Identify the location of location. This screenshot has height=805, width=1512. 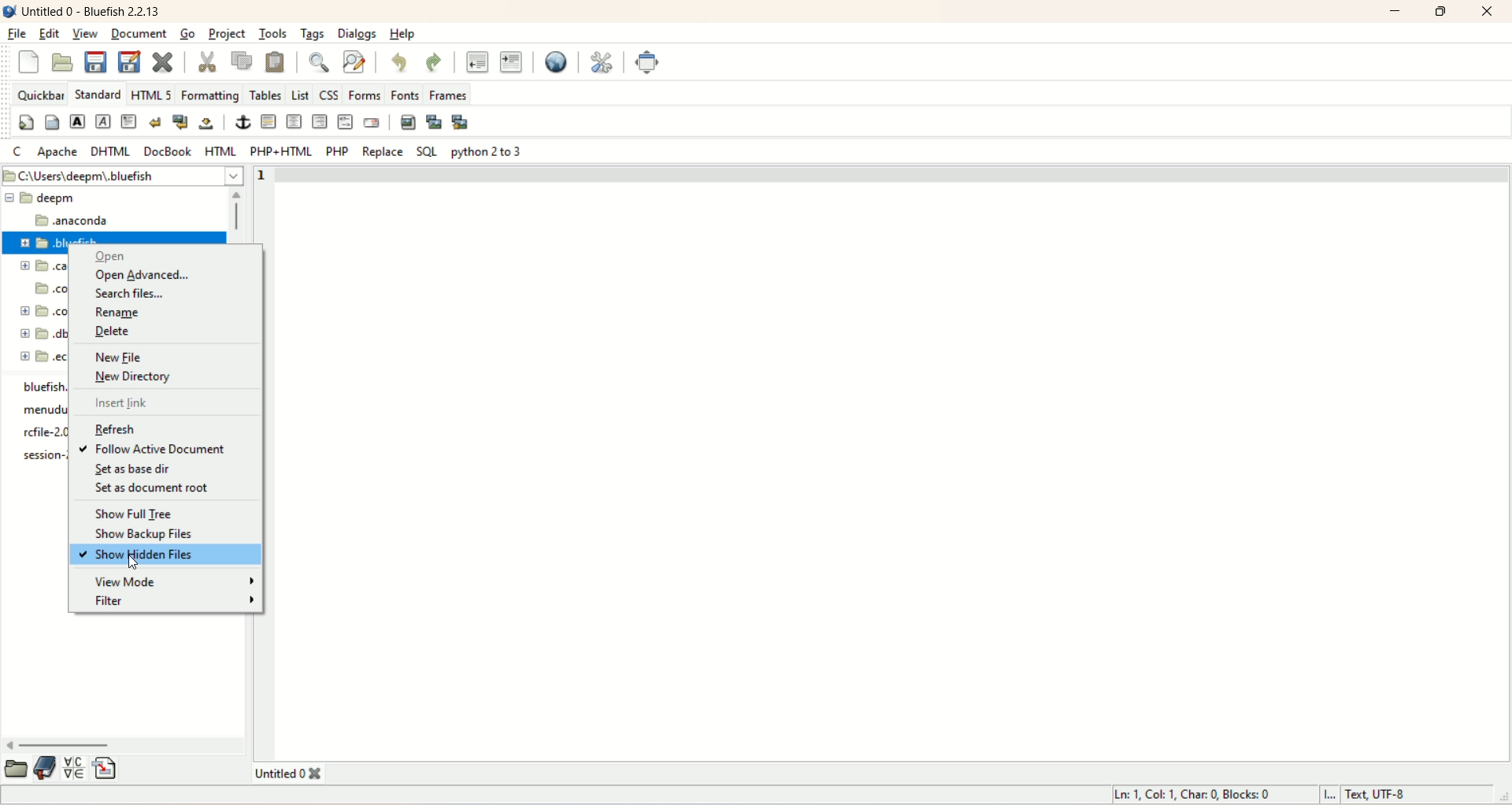
(126, 176).